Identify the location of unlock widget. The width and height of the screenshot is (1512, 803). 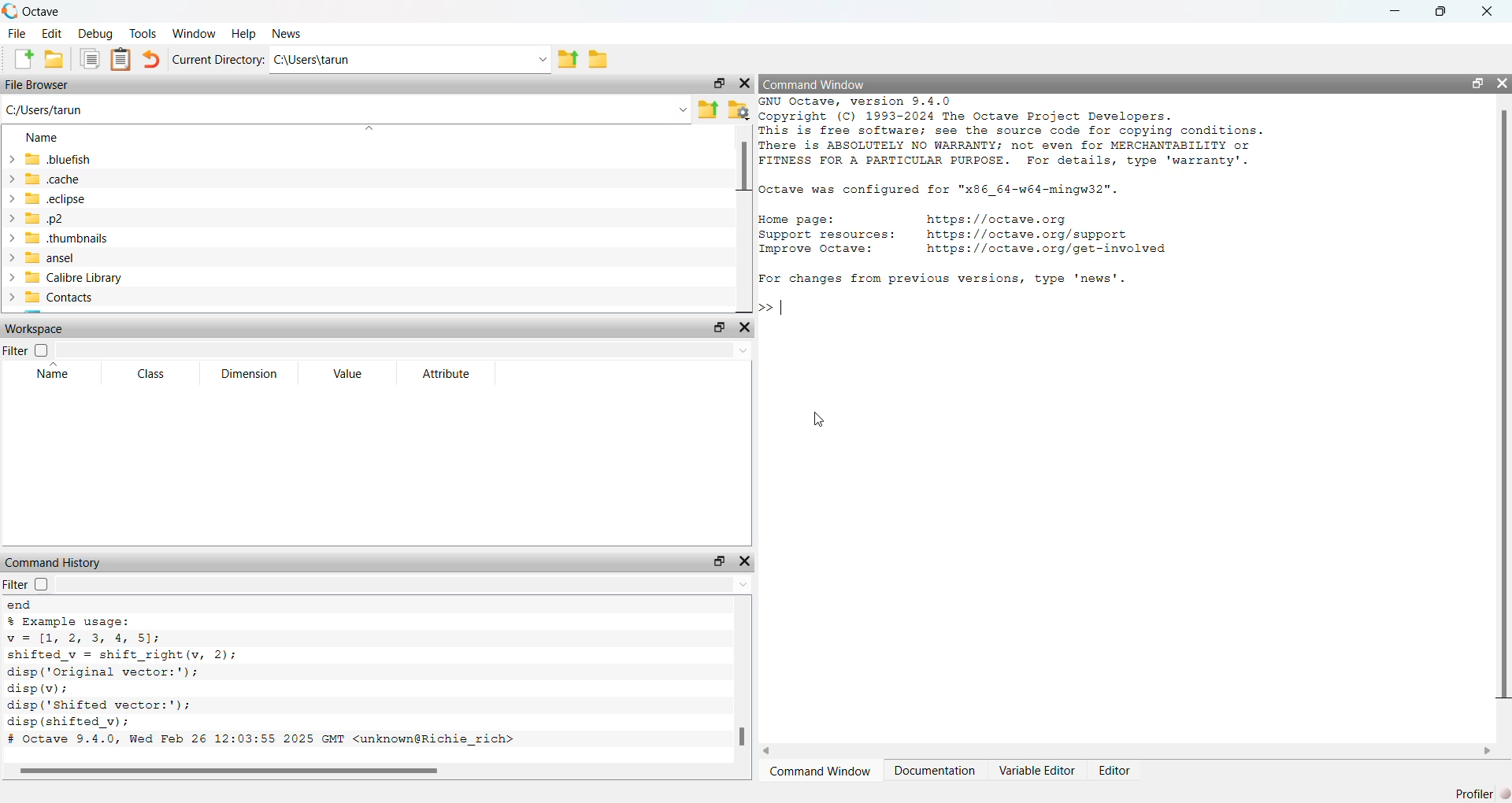
(713, 83).